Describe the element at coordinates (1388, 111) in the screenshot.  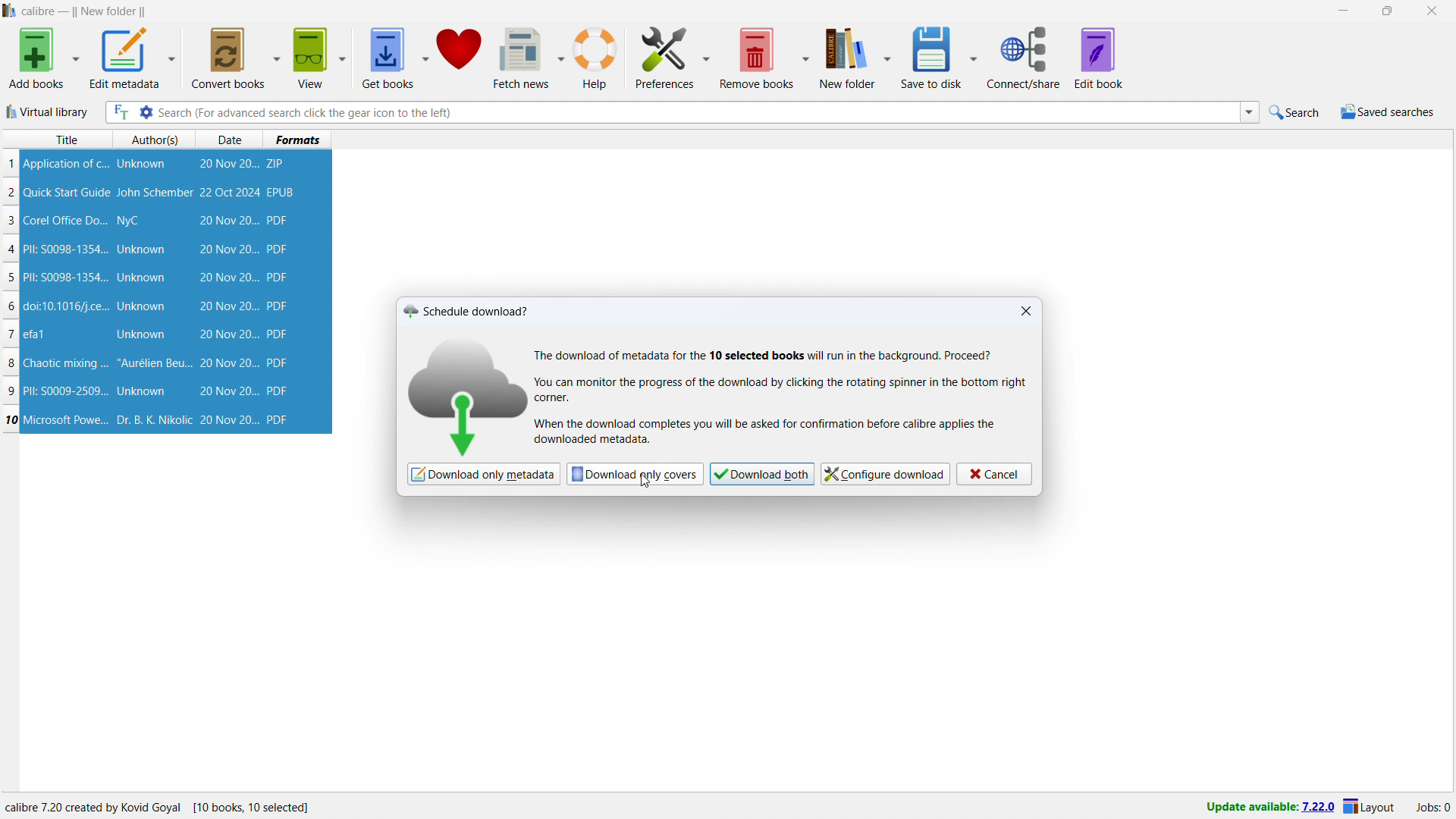
I see `saved searches` at that location.